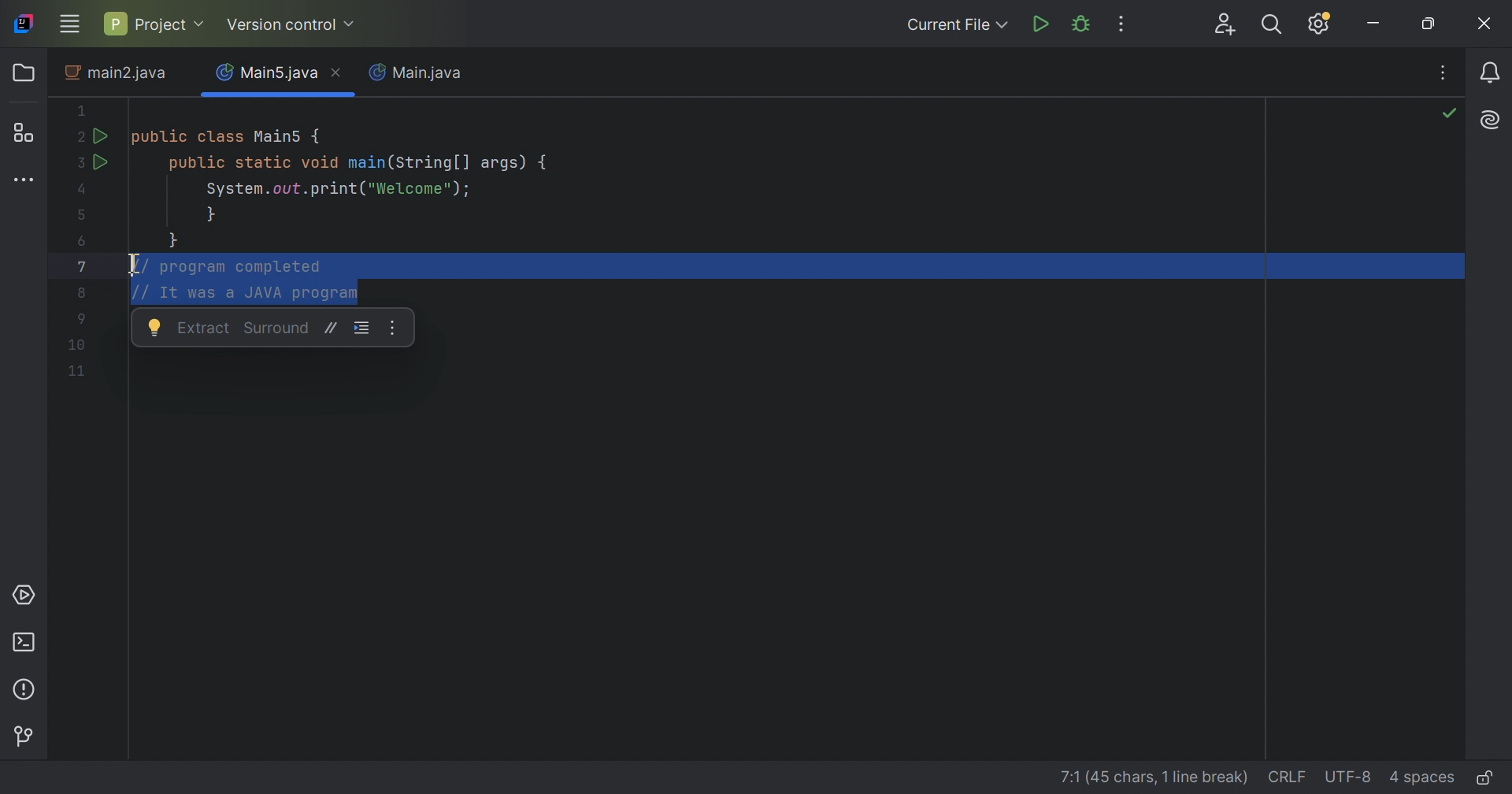 Image resolution: width=1512 pixels, height=794 pixels. Describe the element at coordinates (958, 25) in the screenshot. I see `Current File` at that location.